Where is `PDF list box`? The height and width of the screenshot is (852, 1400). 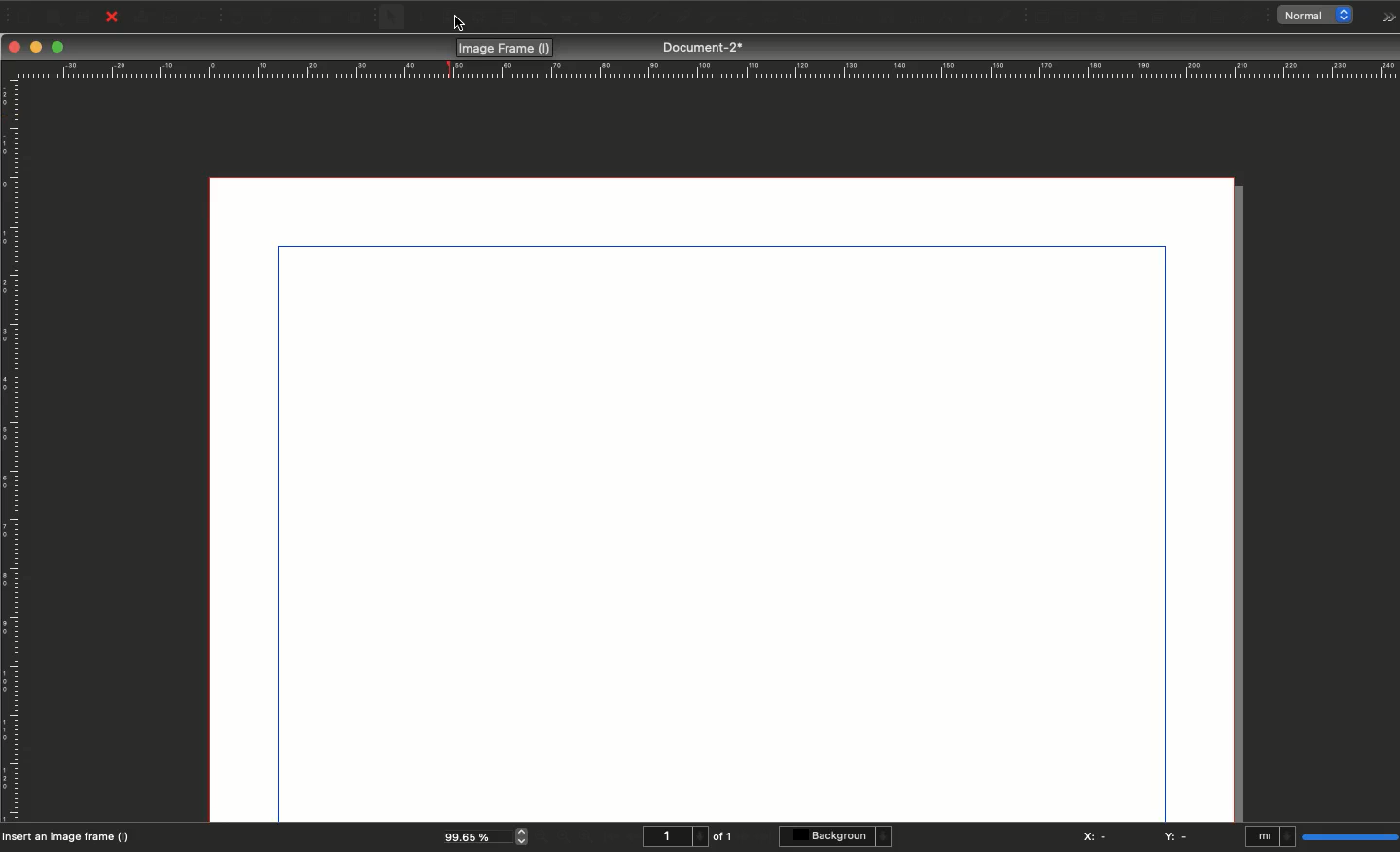 PDF list box is located at coordinates (1189, 18).